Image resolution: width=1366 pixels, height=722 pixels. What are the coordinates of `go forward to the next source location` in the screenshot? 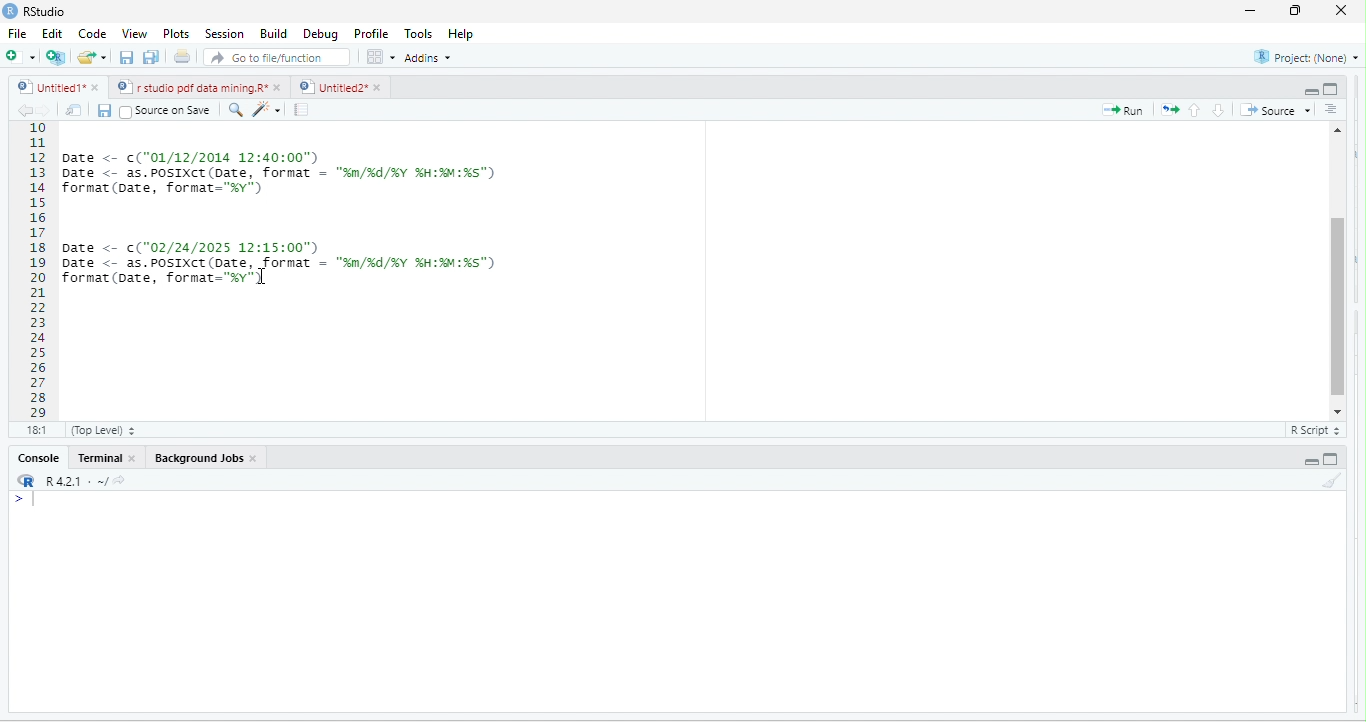 It's located at (47, 111).